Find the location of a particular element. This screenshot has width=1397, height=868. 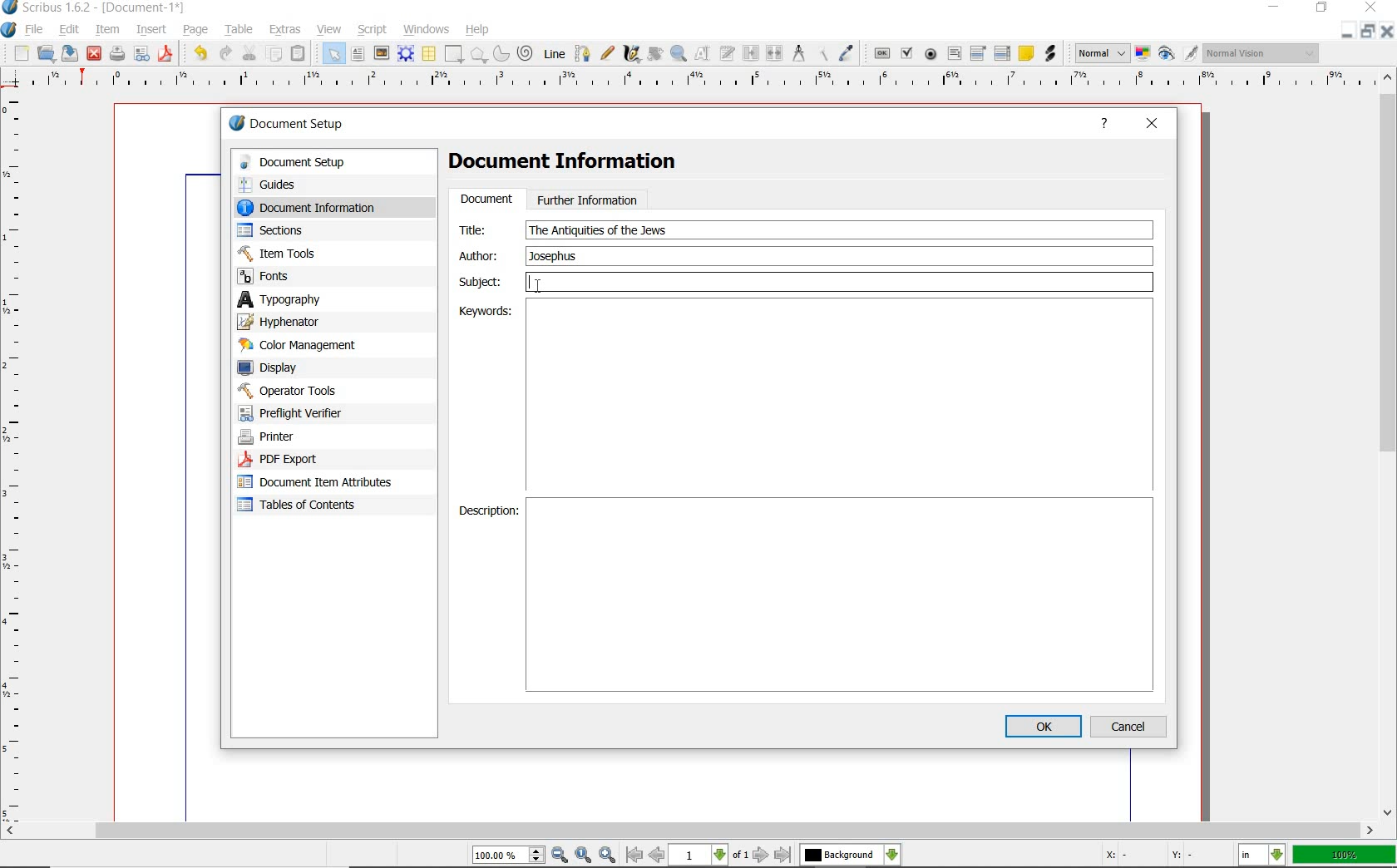

Description is located at coordinates (842, 594).